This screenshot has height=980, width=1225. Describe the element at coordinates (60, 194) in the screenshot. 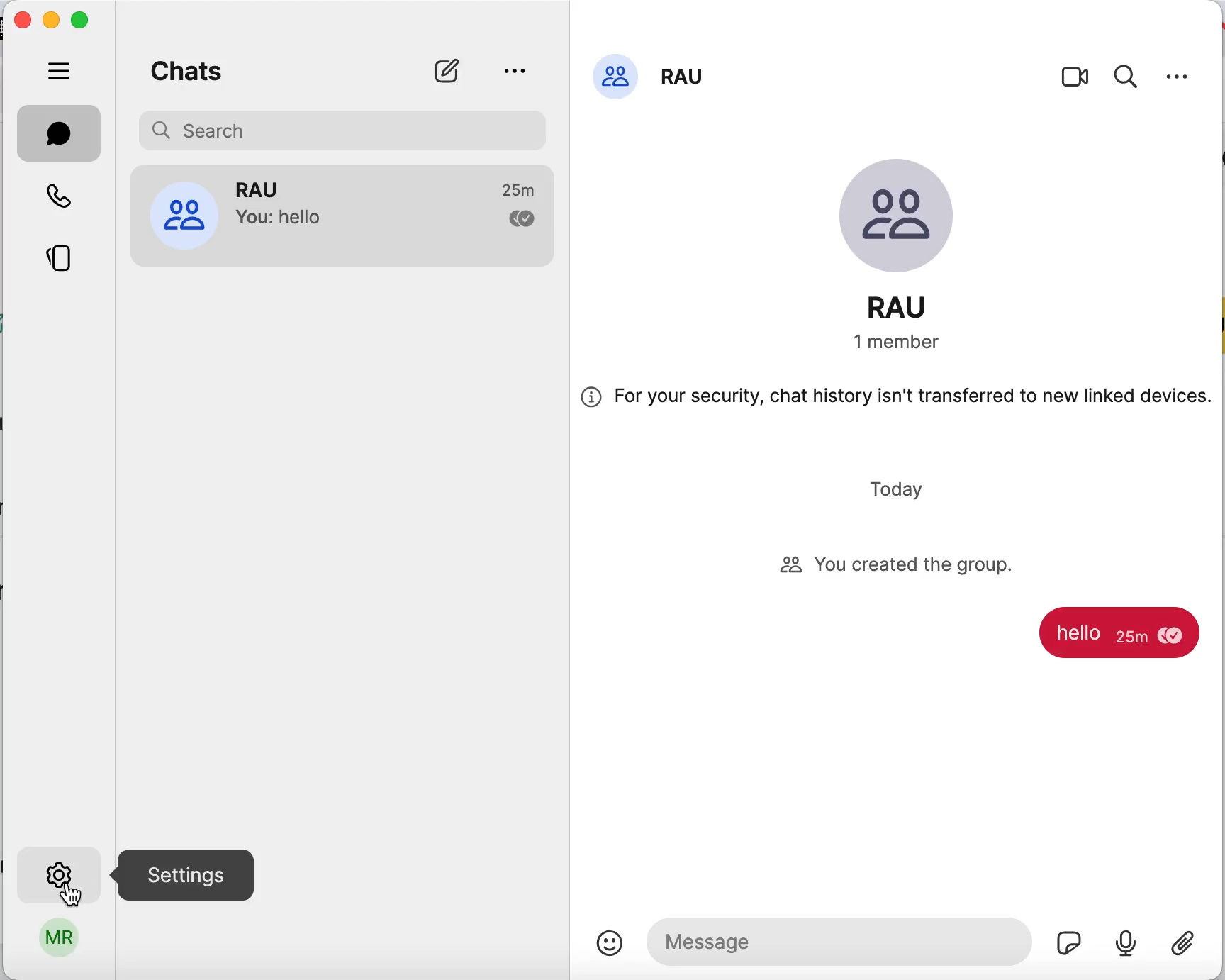

I see `call` at that location.